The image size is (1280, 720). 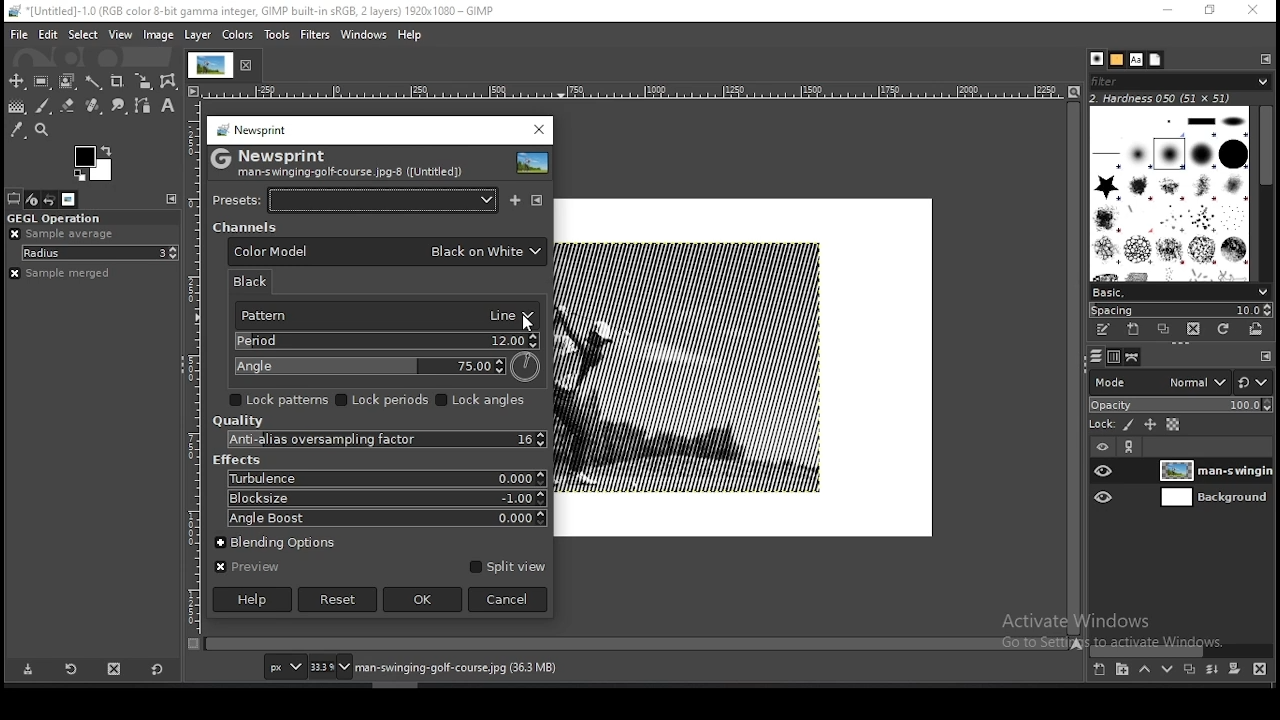 I want to click on scroll bar, so click(x=1182, y=649).